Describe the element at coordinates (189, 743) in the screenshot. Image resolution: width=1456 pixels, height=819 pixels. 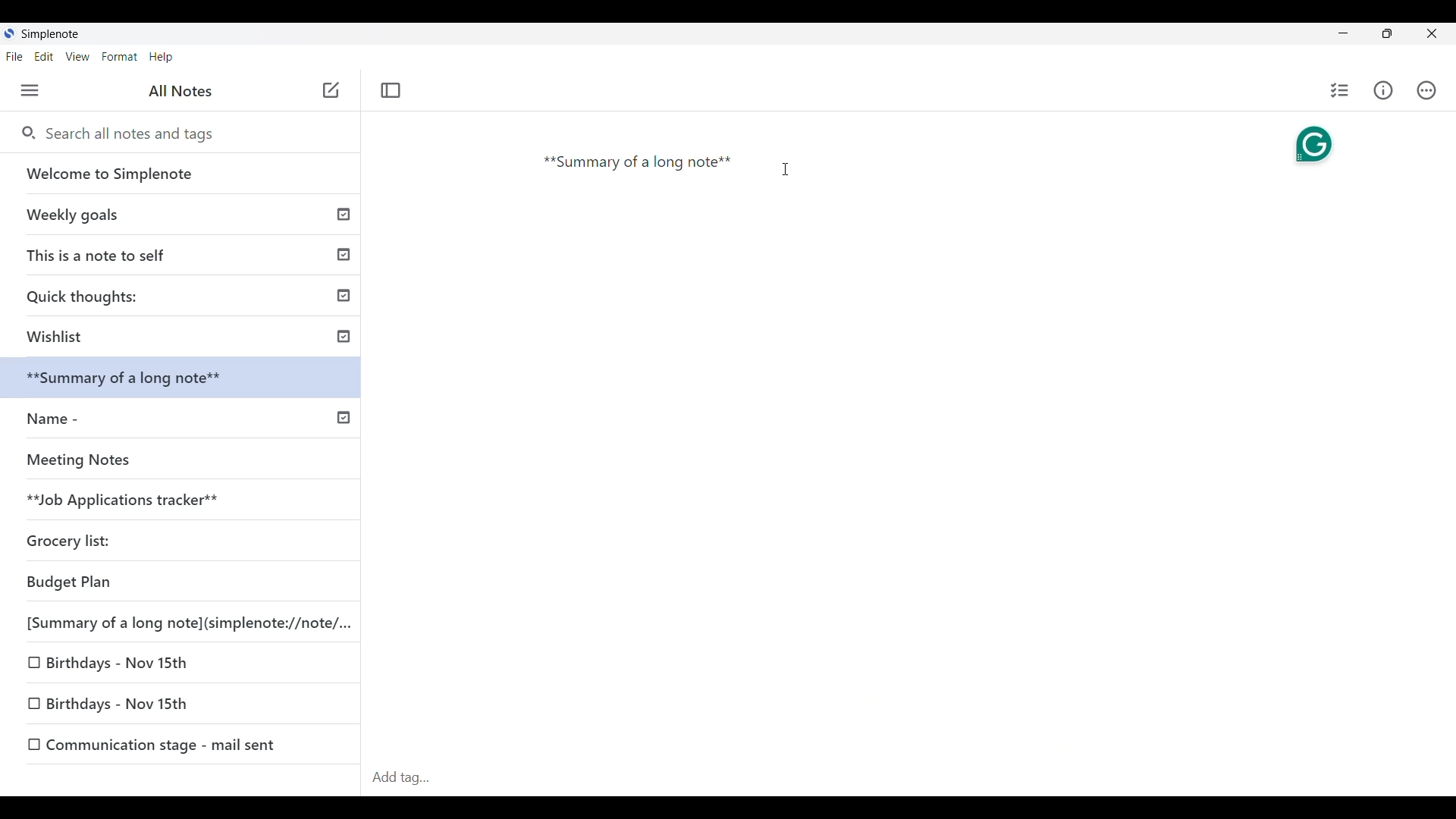
I see `Communication stage - mail sent` at that location.